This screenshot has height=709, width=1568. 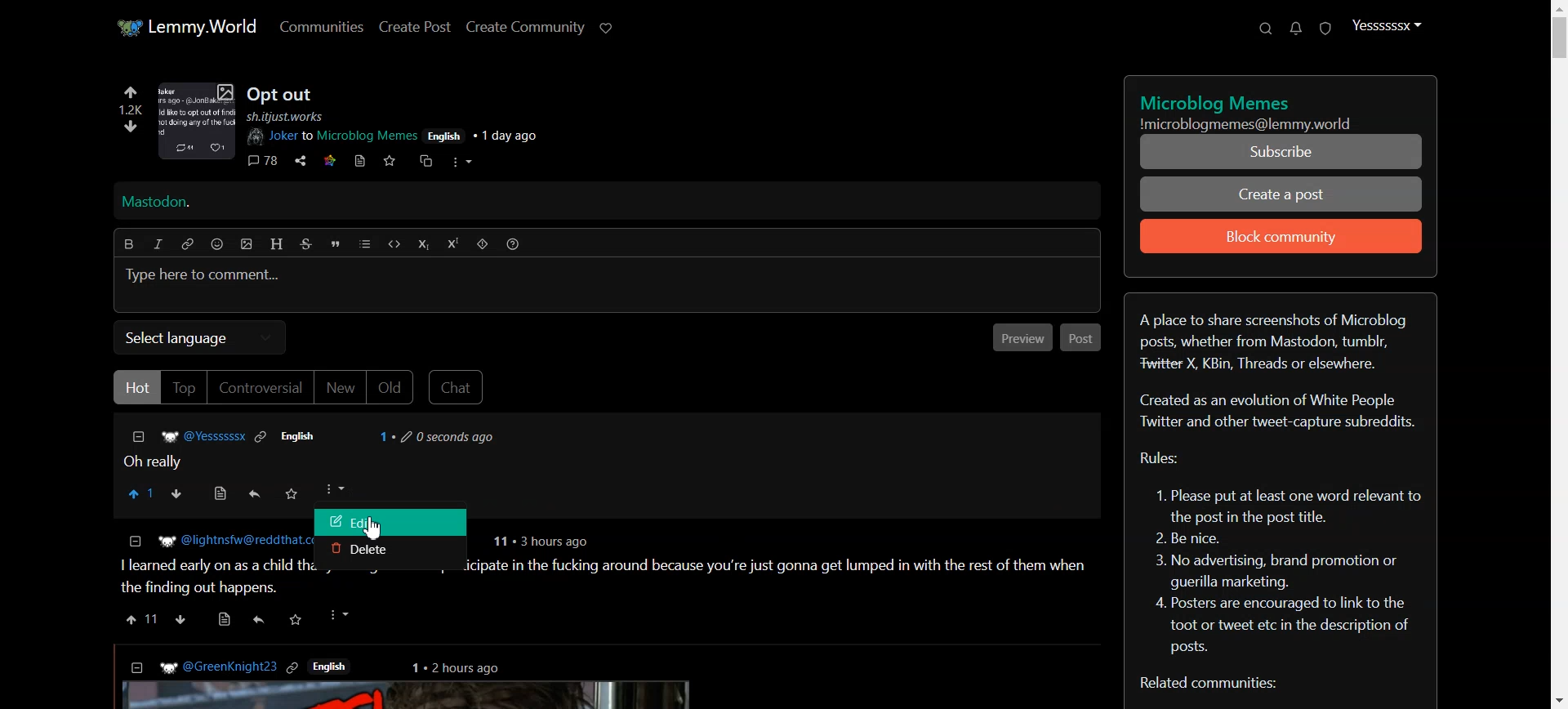 What do you see at coordinates (130, 94) in the screenshot?
I see `upvote` at bounding box center [130, 94].